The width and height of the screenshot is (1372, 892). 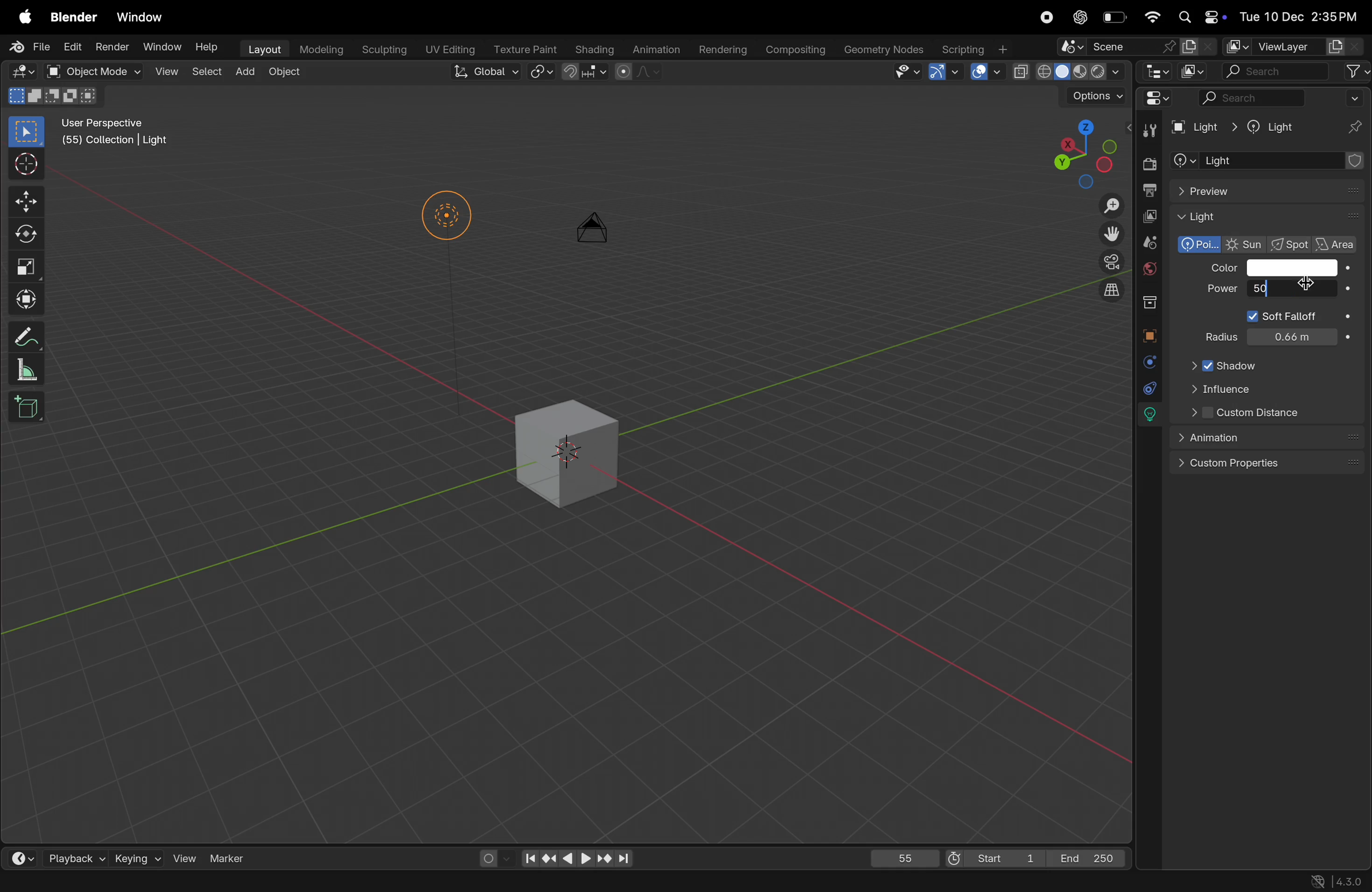 I want to click on search, so click(x=1283, y=98).